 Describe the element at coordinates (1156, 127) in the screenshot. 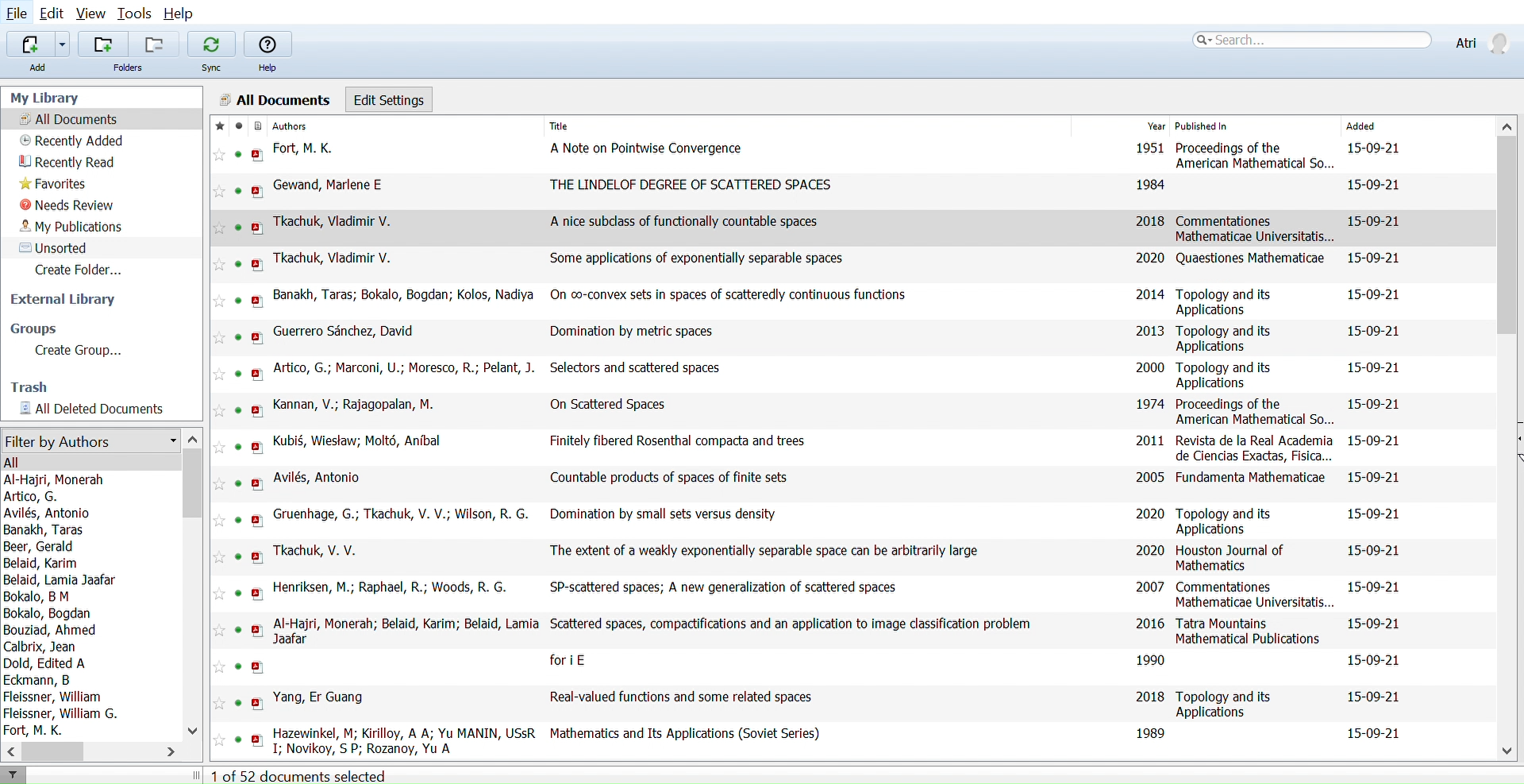

I see `Year` at that location.